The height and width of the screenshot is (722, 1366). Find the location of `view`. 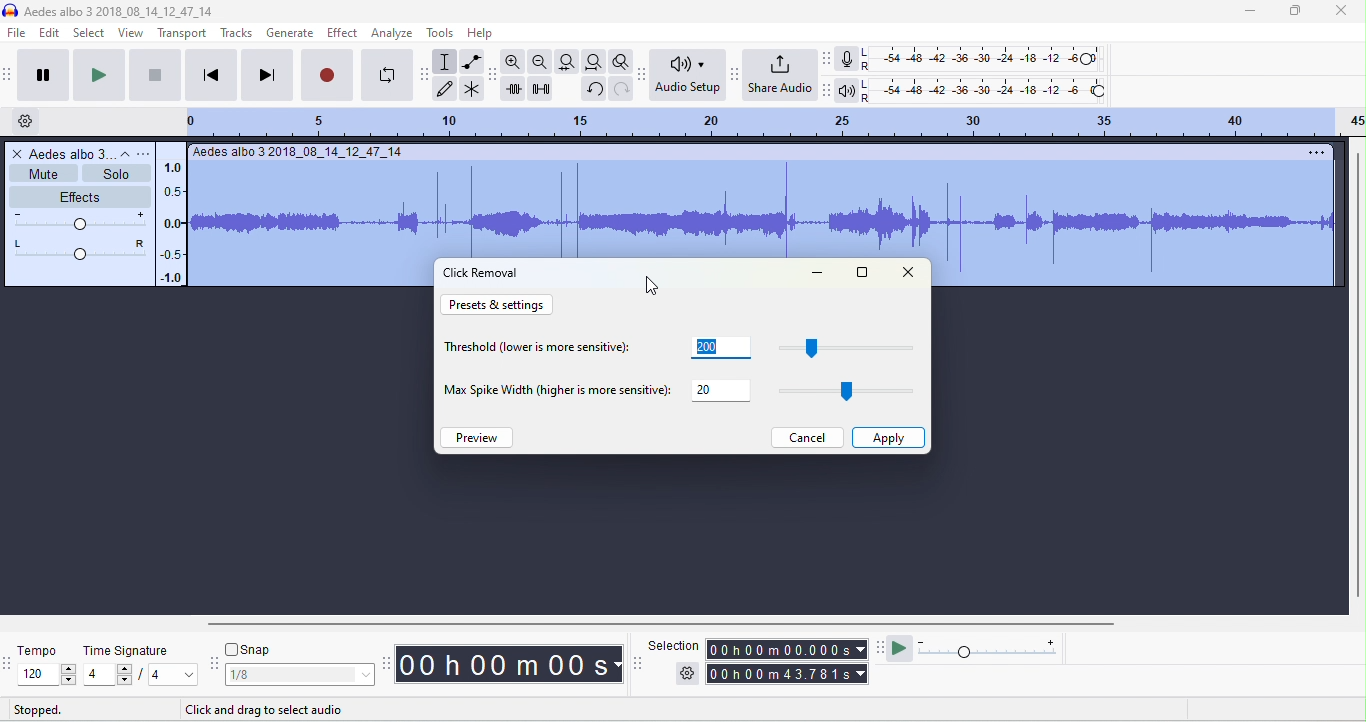

view is located at coordinates (131, 33).